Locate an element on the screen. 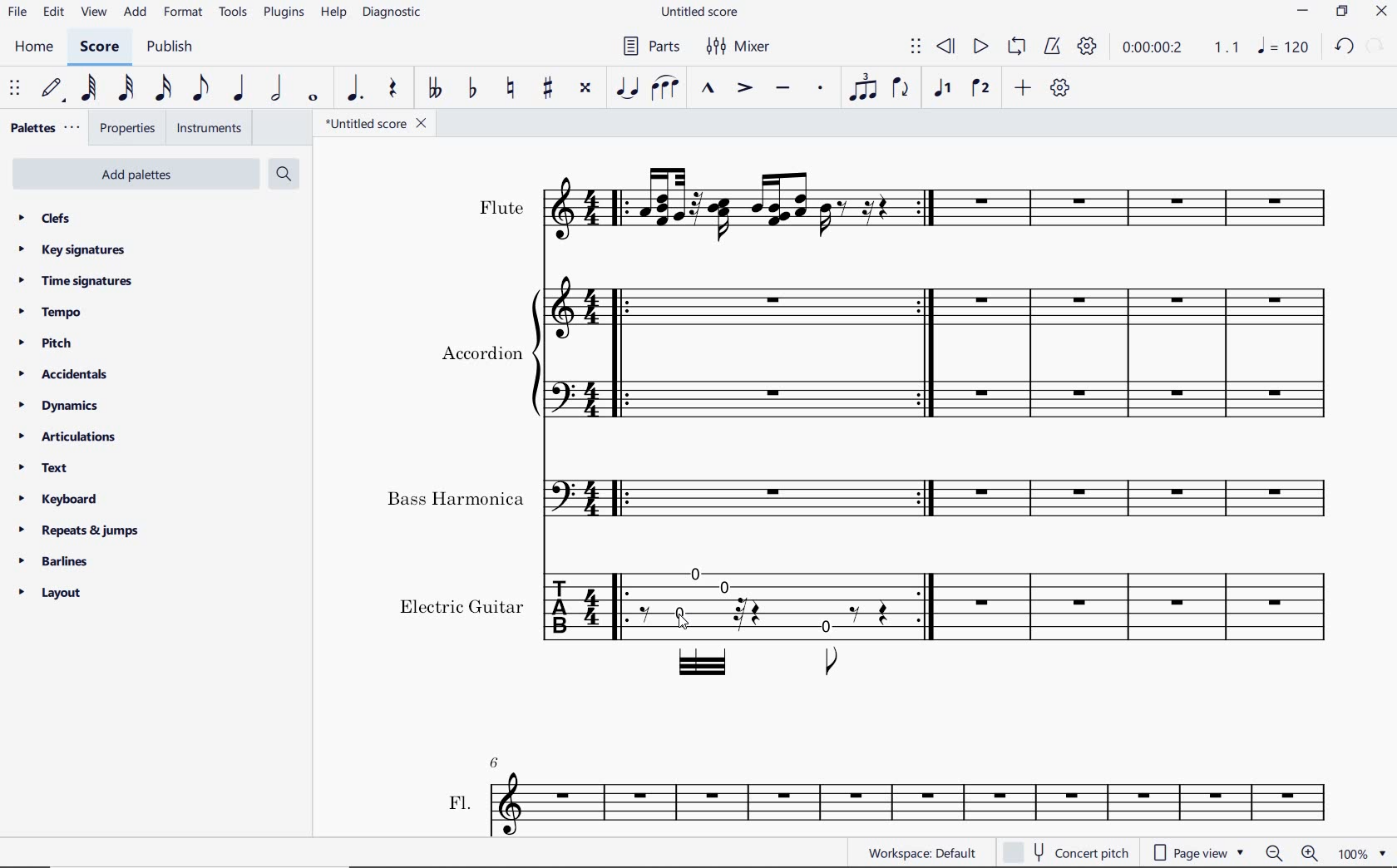 Image resolution: width=1397 pixels, height=868 pixels. toggle flat is located at coordinates (471, 89).